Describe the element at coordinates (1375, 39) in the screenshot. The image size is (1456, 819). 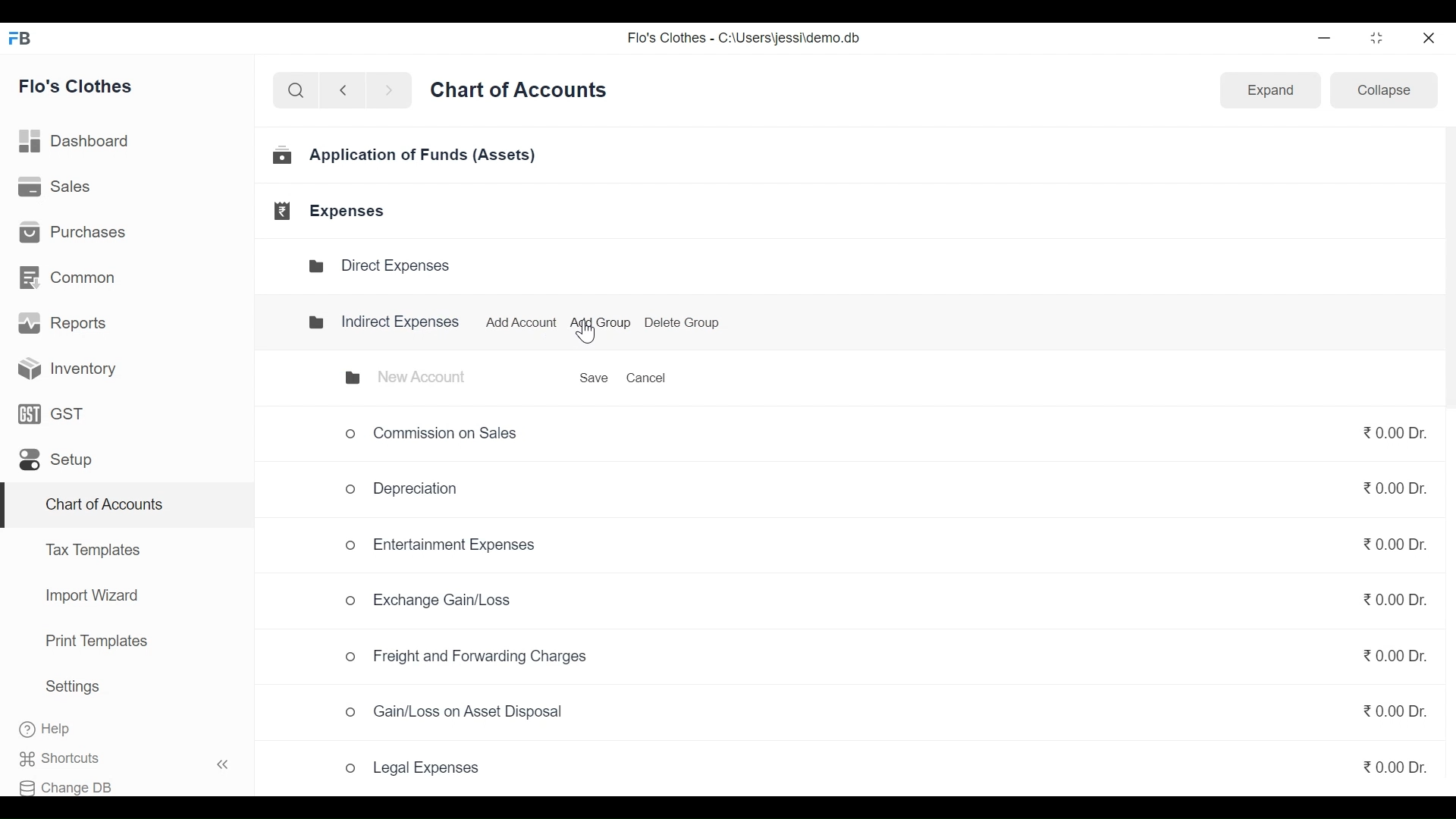
I see `restore down` at that location.